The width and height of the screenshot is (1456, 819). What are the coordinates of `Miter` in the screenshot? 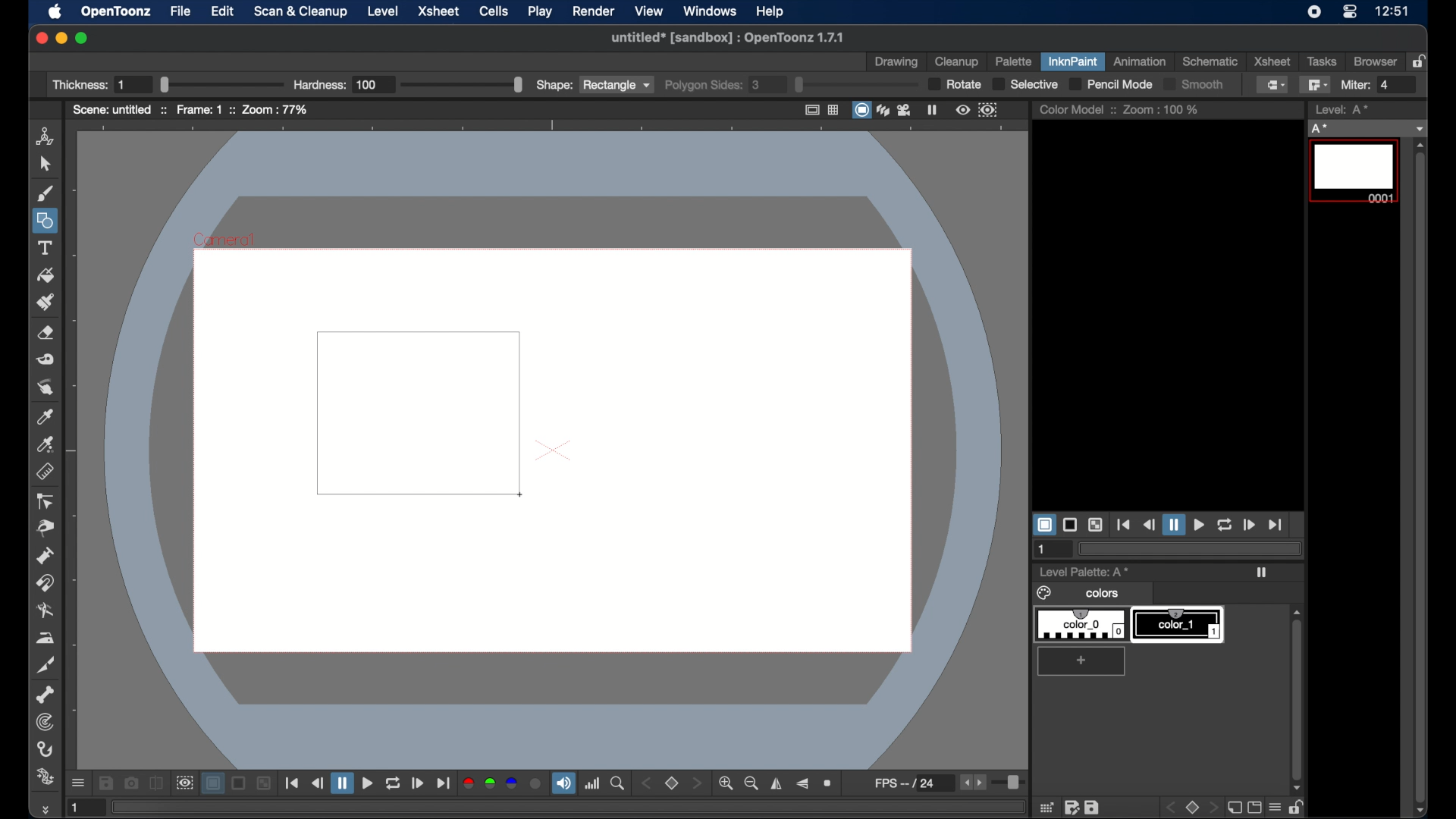 It's located at (1375, 85).